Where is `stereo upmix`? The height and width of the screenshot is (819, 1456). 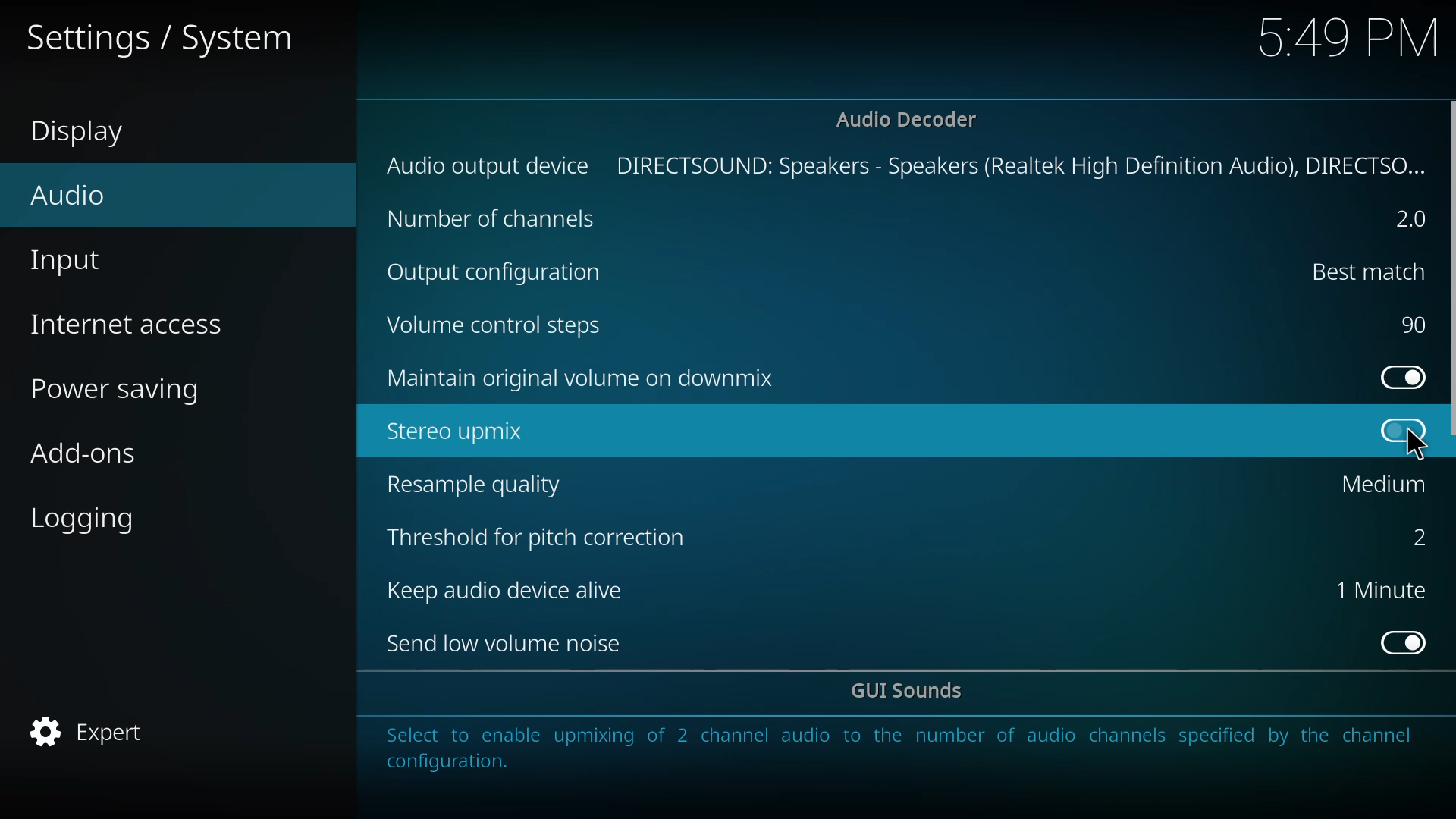 stereo upmix is located at coordinates (462, 431).